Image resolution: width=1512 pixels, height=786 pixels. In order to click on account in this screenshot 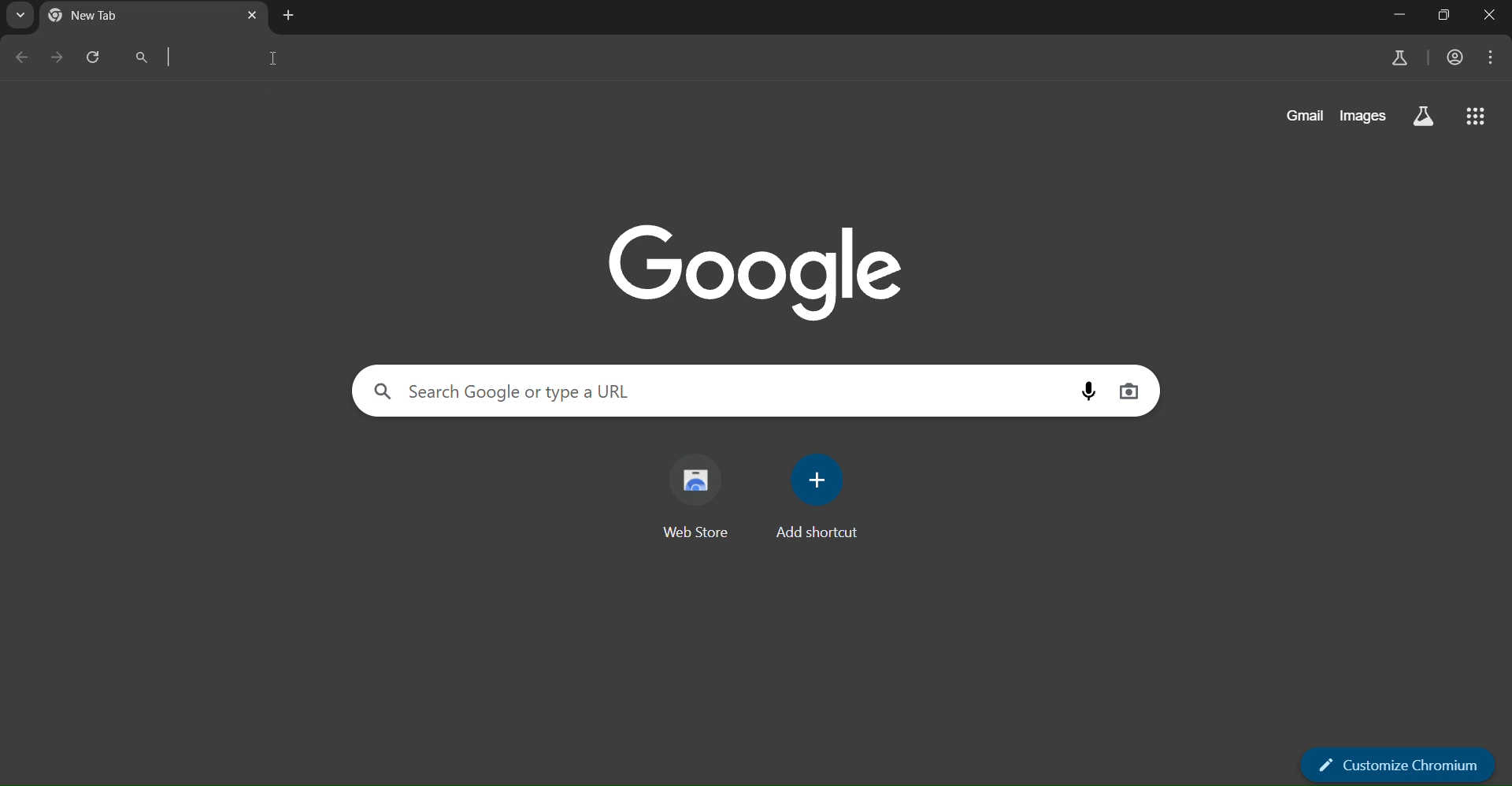, I will do `click(1456, 57)`.